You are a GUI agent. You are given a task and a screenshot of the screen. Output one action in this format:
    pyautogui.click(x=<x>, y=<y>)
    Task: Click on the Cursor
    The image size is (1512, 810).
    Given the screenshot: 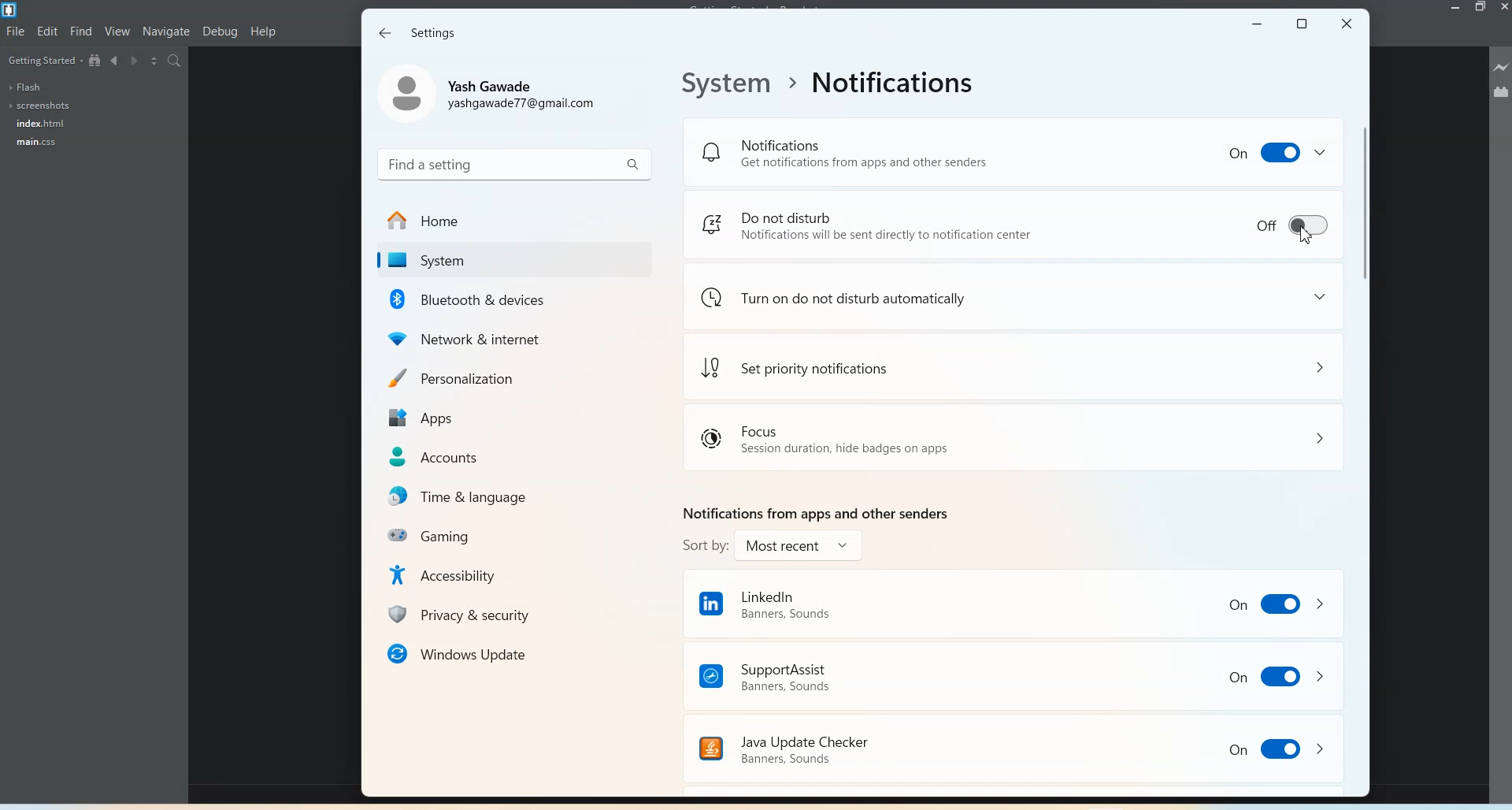 What is the action you would take?
    pyautogui.click(x=1308, y=236)
    